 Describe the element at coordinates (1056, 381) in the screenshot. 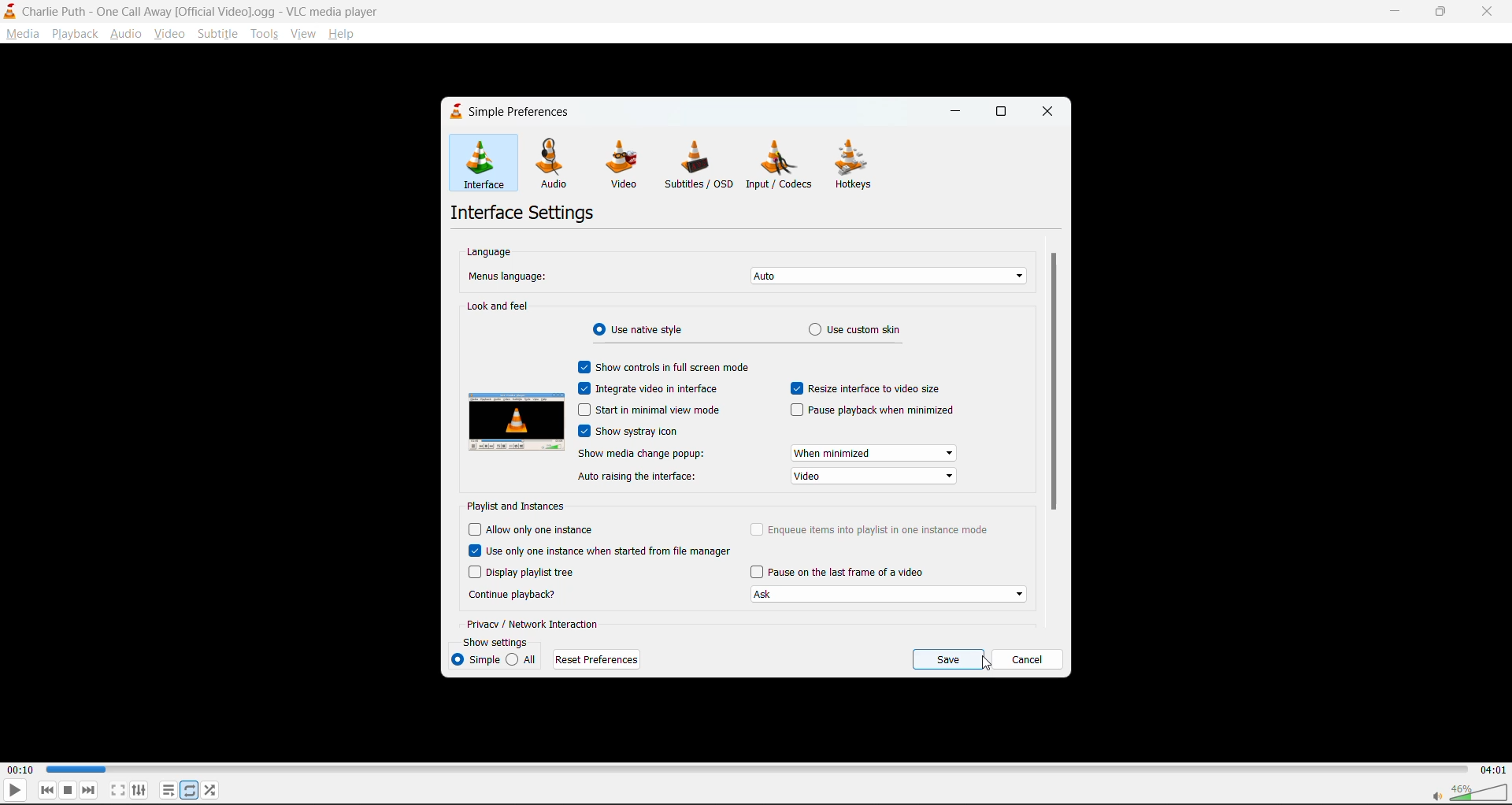

I see `vertical scroll bar` at that location.